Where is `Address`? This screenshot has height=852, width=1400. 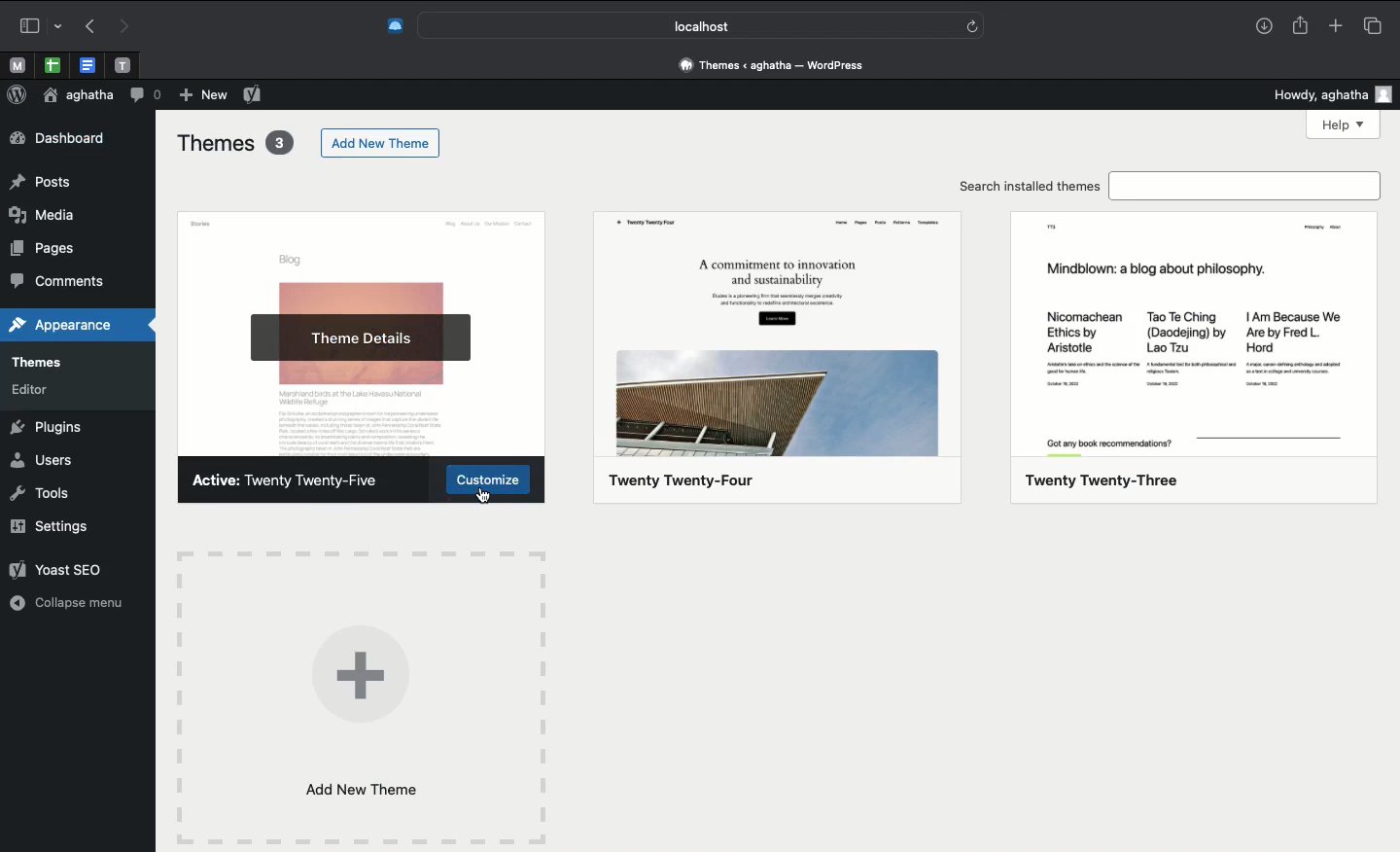 Address is located at coordinates (779, 64).